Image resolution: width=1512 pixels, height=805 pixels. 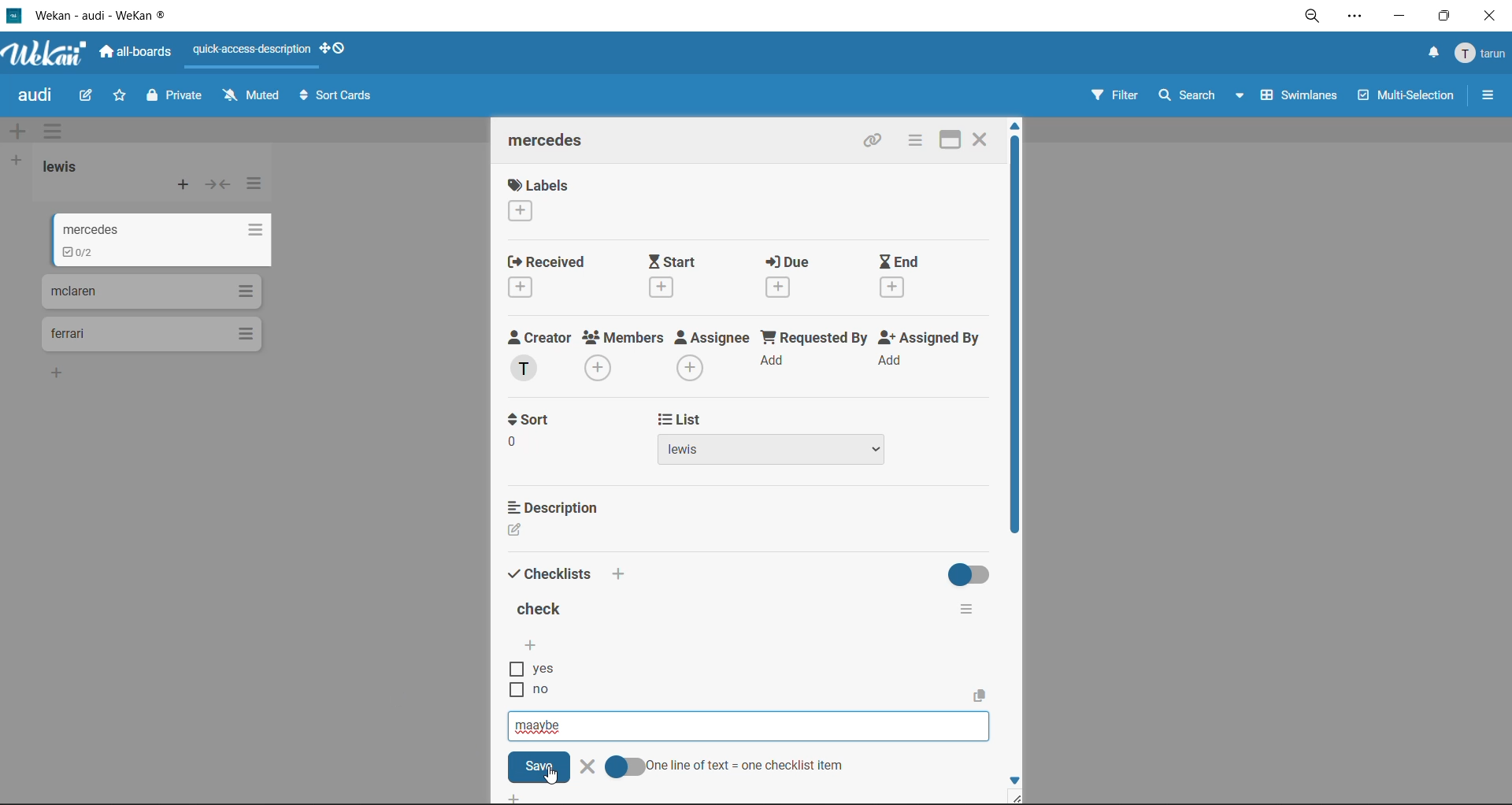 I want to click on list actions, so click(x=246, y=333).